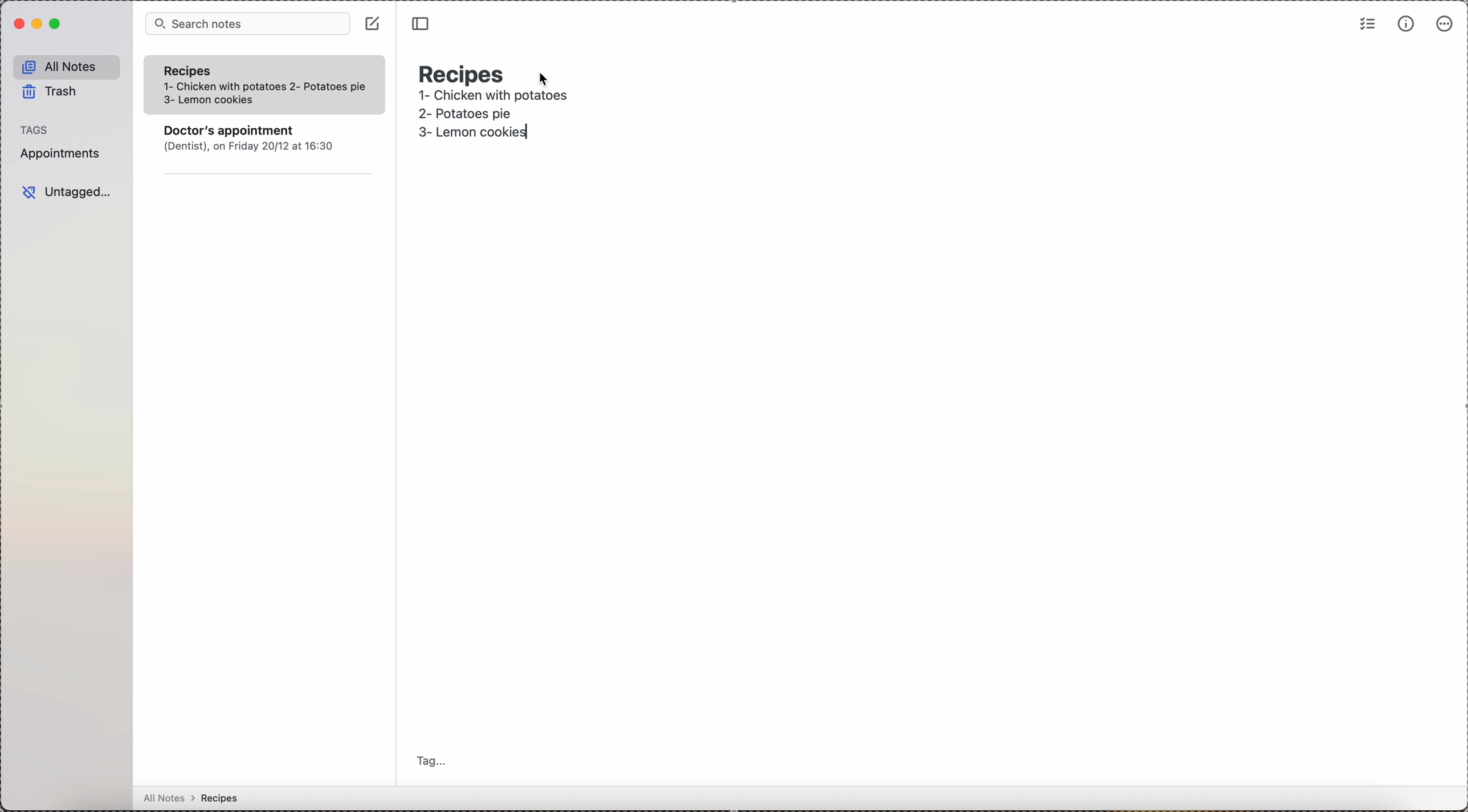 The height and width of the screenshot is (812, 1468). Describe the element at coordinates (198, 69) in the screenshot. I see `Recipes` at that location.